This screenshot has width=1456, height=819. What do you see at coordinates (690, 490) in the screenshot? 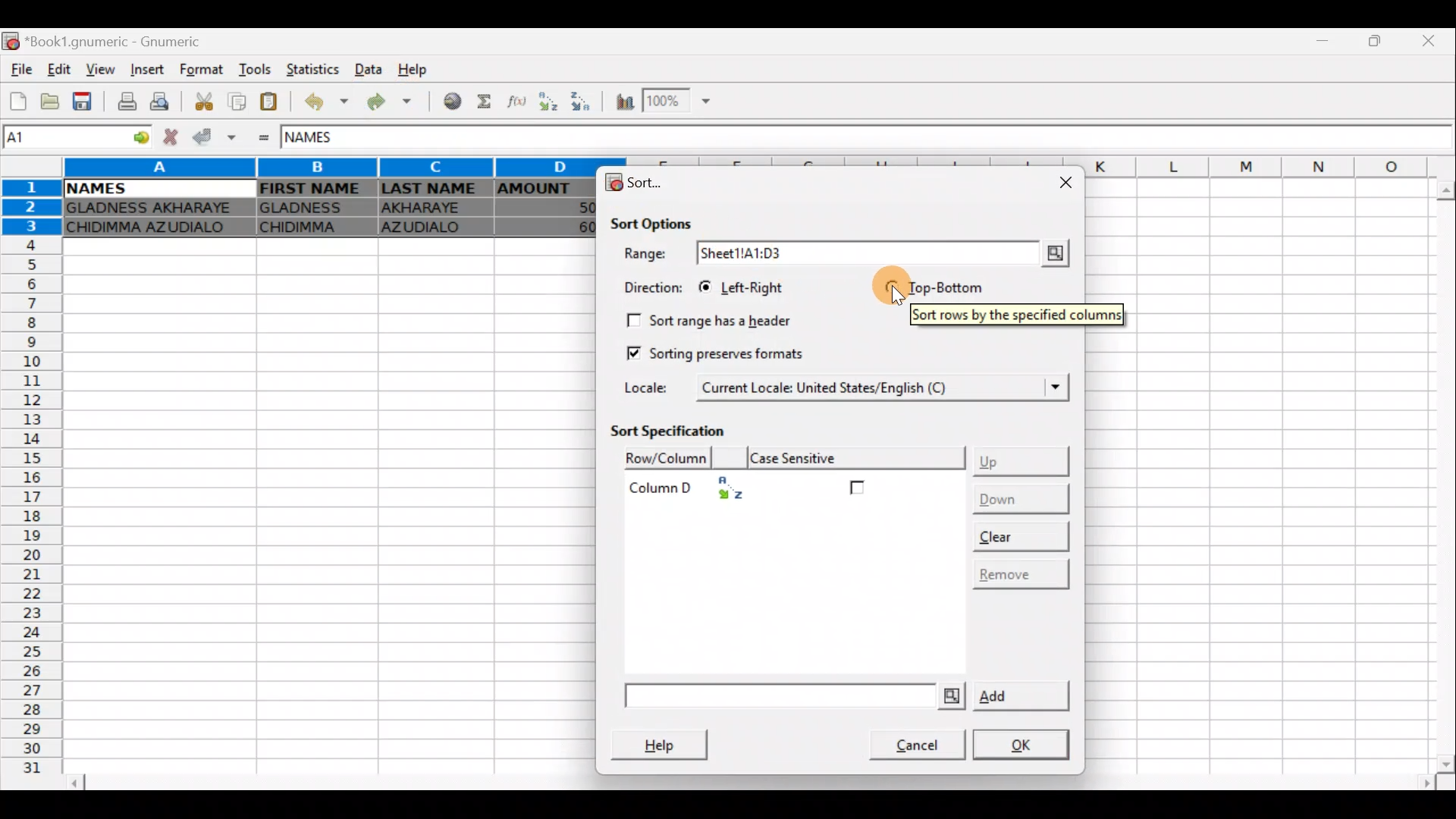
I see `Column D` at bounding box center [690, 490].